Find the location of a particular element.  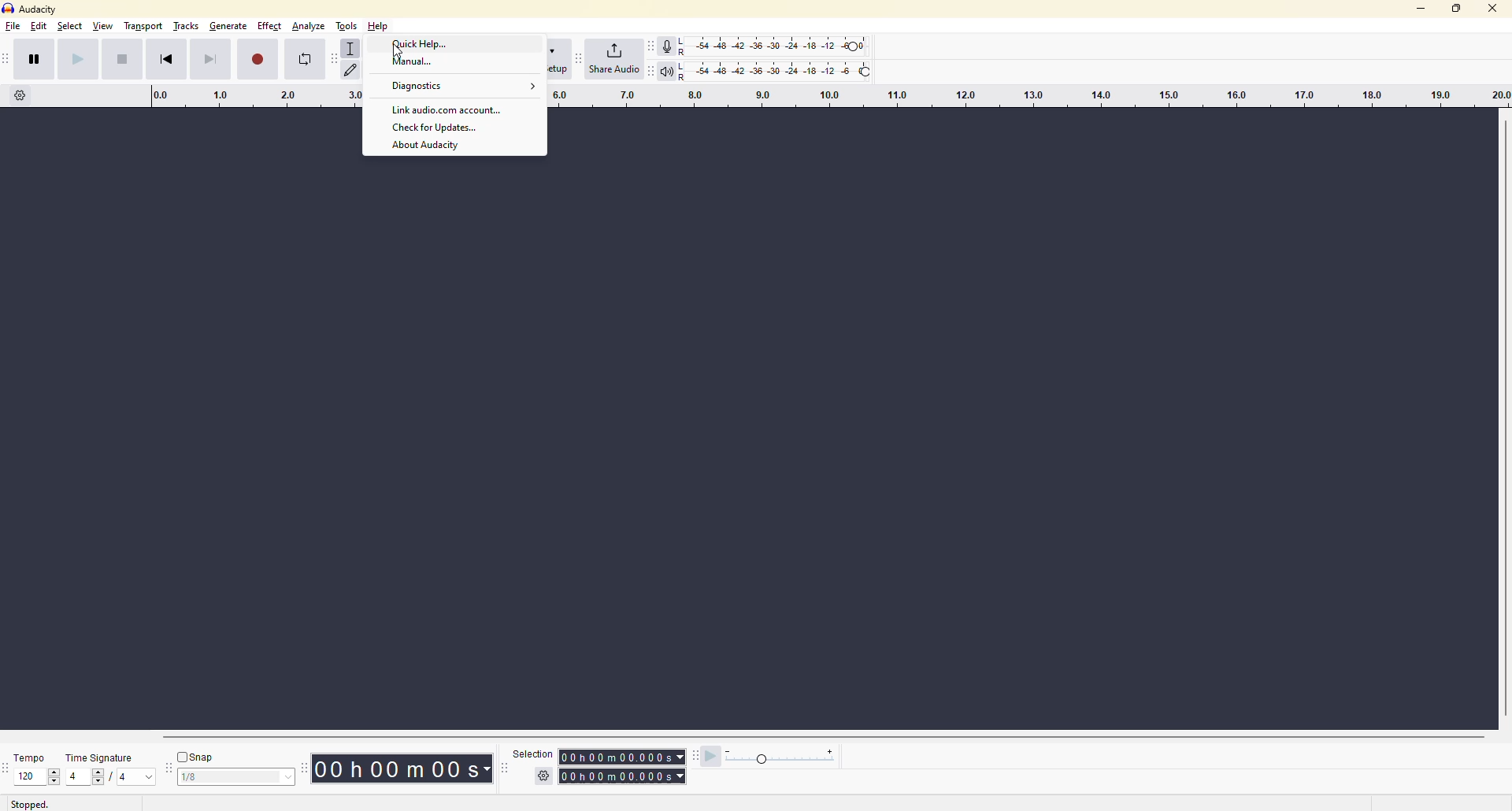

value is located at coordinates (83, 777).